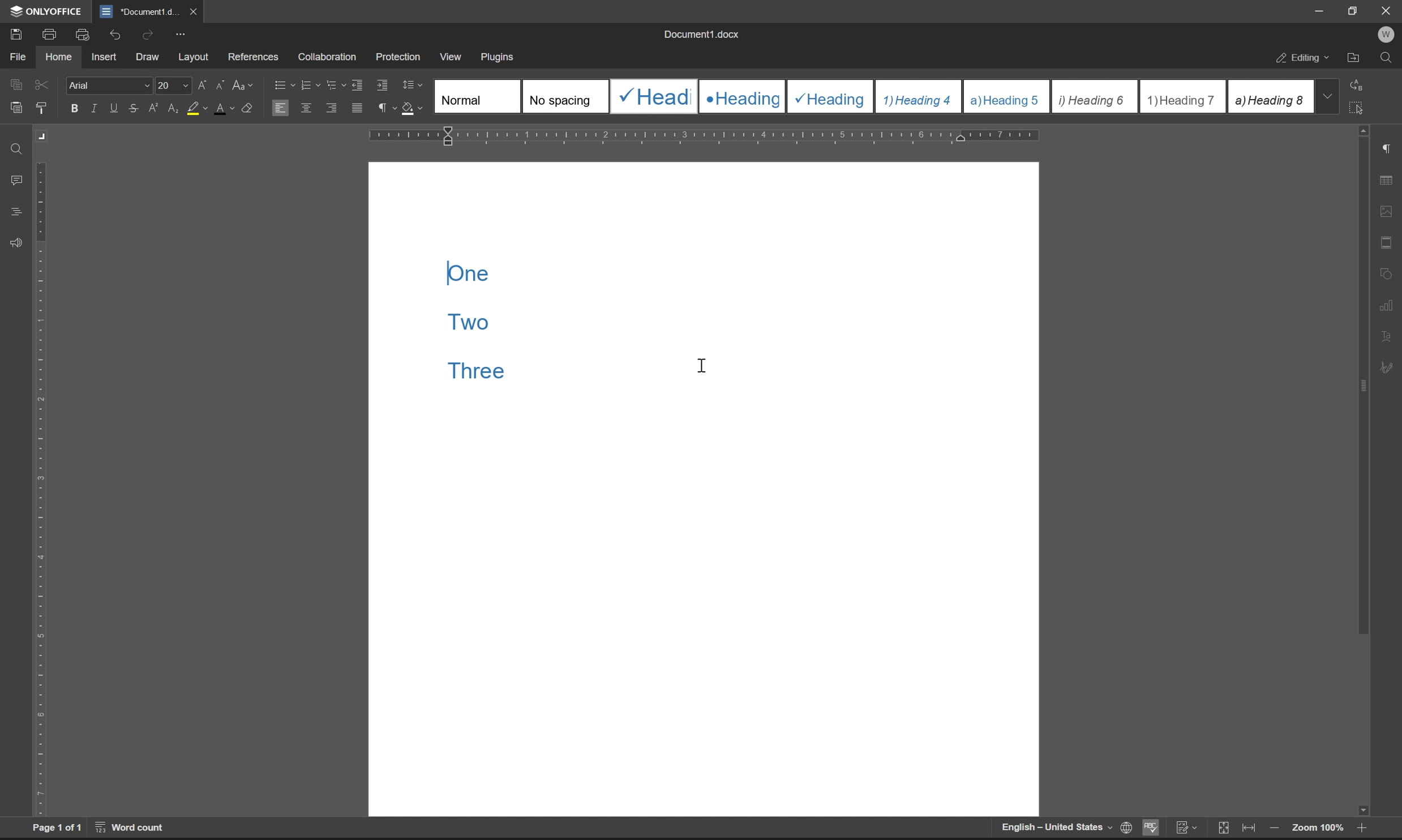 Image resolution: width=1402 pixels, height=840 pixels. Describe the element at coordinates (1354, 59) in the screenshot. I see `open file location` at that location.